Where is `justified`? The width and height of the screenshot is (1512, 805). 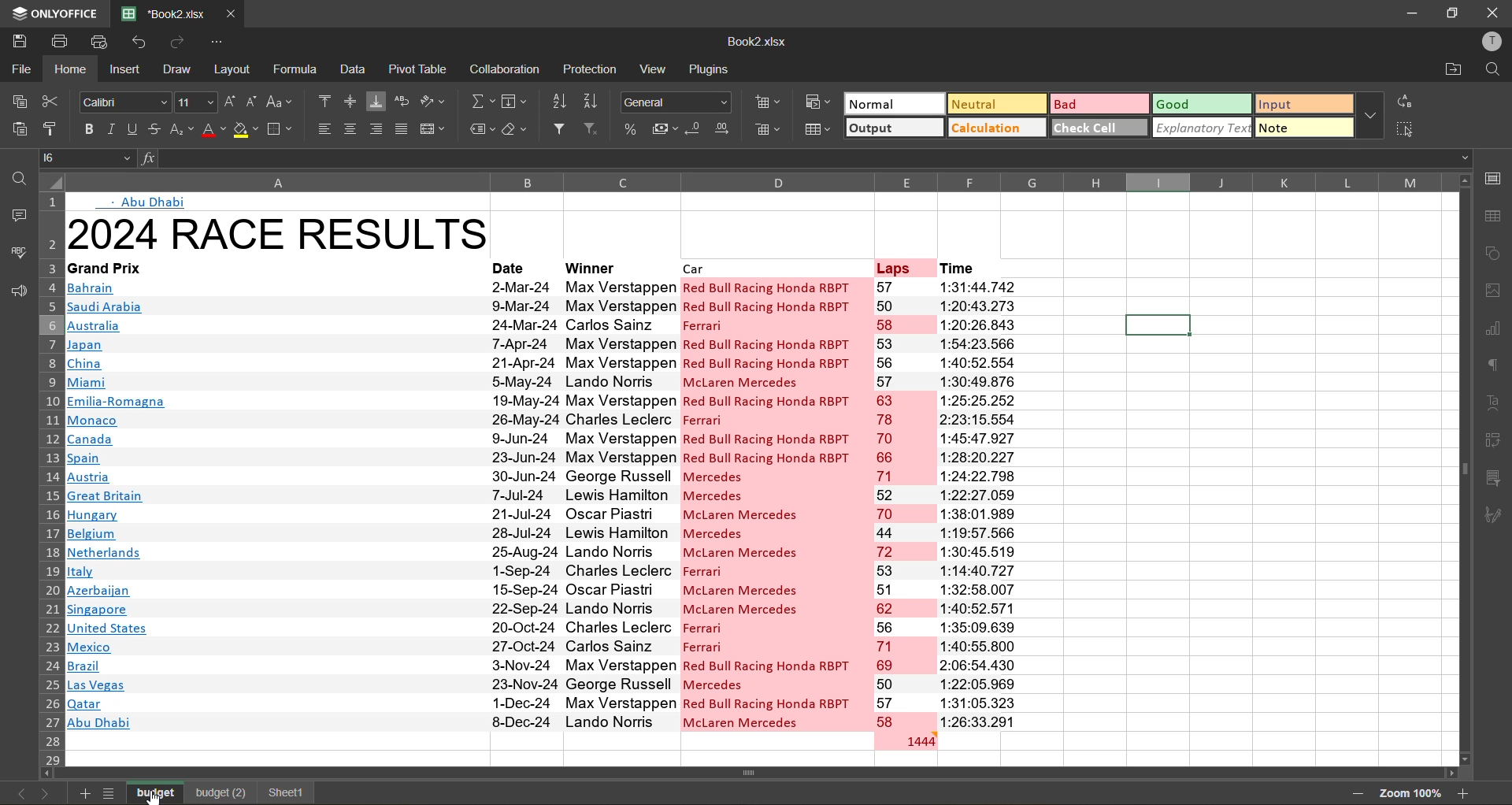 justified is located at coordinates (403, 129).